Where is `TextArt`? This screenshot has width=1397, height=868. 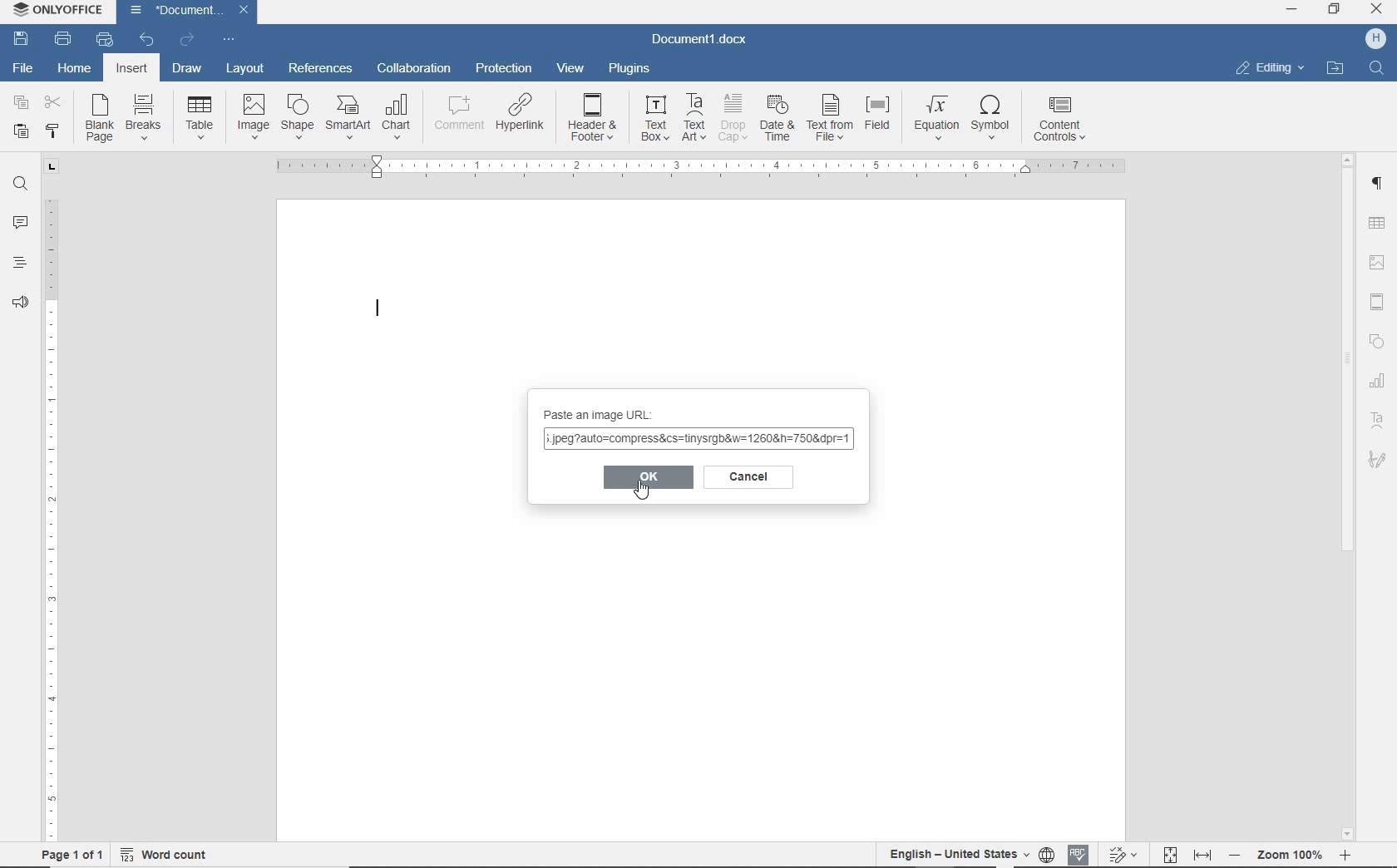
TextArt is located at coordinates (1380, 418).